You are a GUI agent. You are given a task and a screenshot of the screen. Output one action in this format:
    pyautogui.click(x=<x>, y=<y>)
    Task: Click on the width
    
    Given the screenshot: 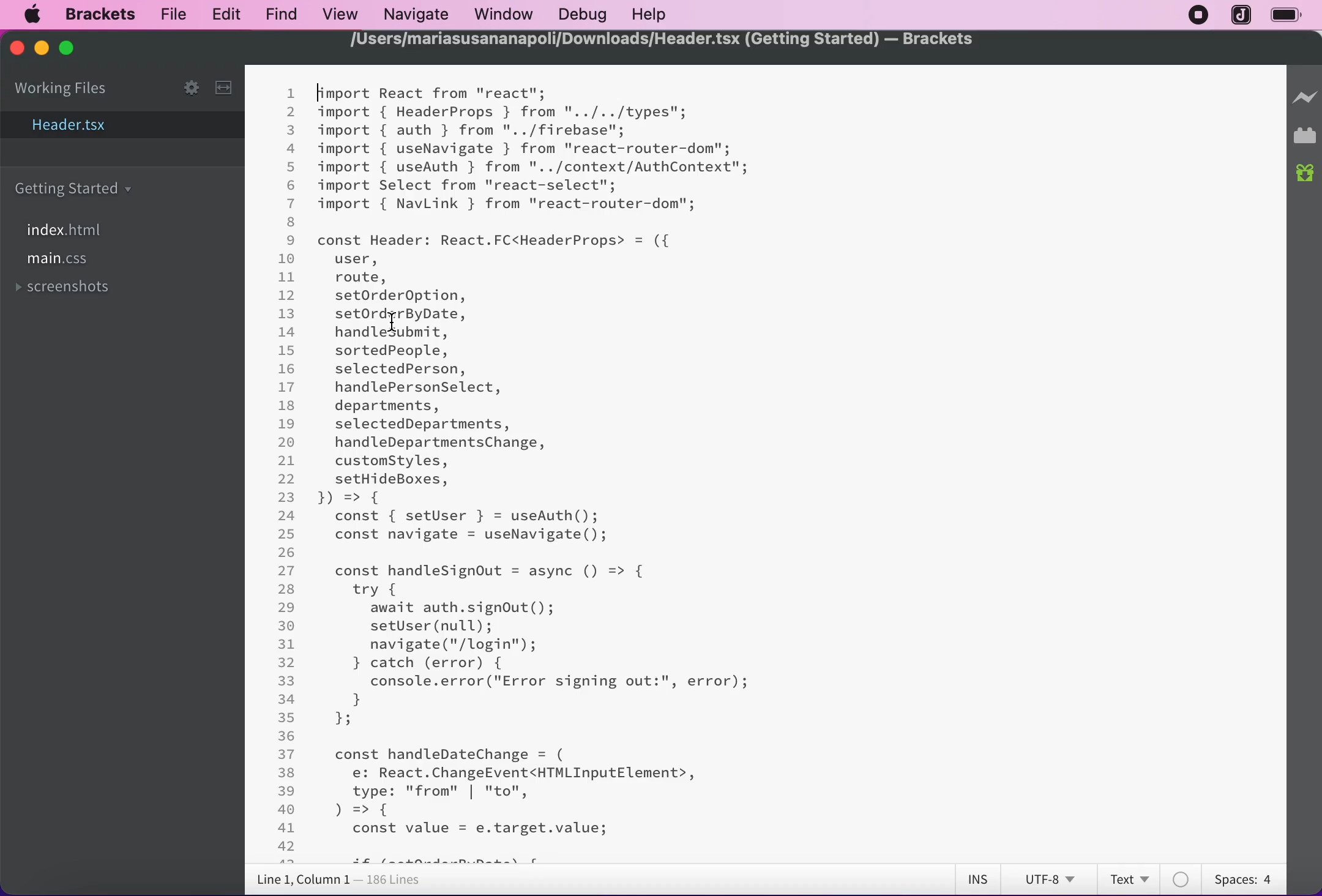 What is the action you would take?
    pyautogui.click(x=226, y=84)
    